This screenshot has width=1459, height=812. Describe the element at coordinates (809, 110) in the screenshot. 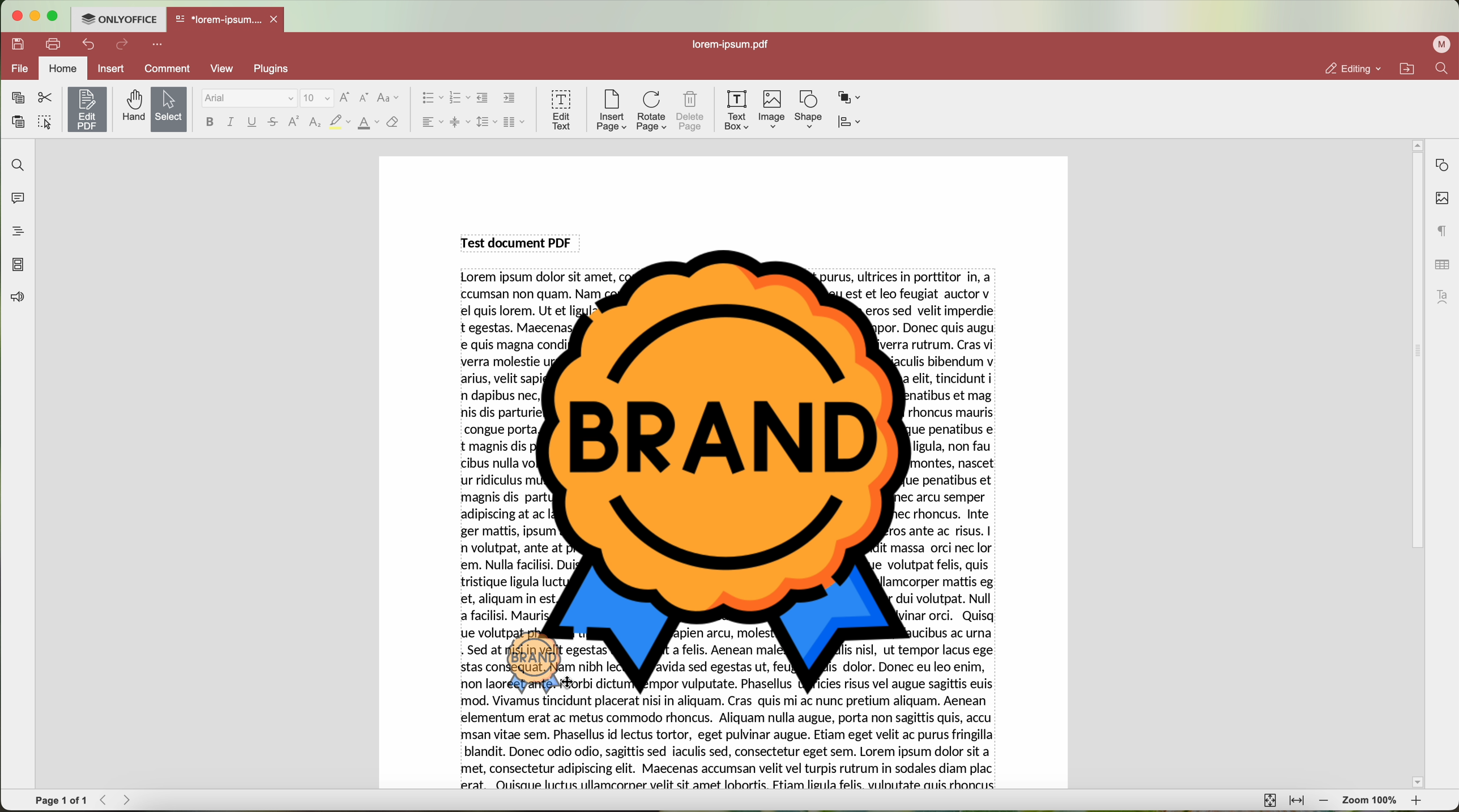

I see `shape` at that location.